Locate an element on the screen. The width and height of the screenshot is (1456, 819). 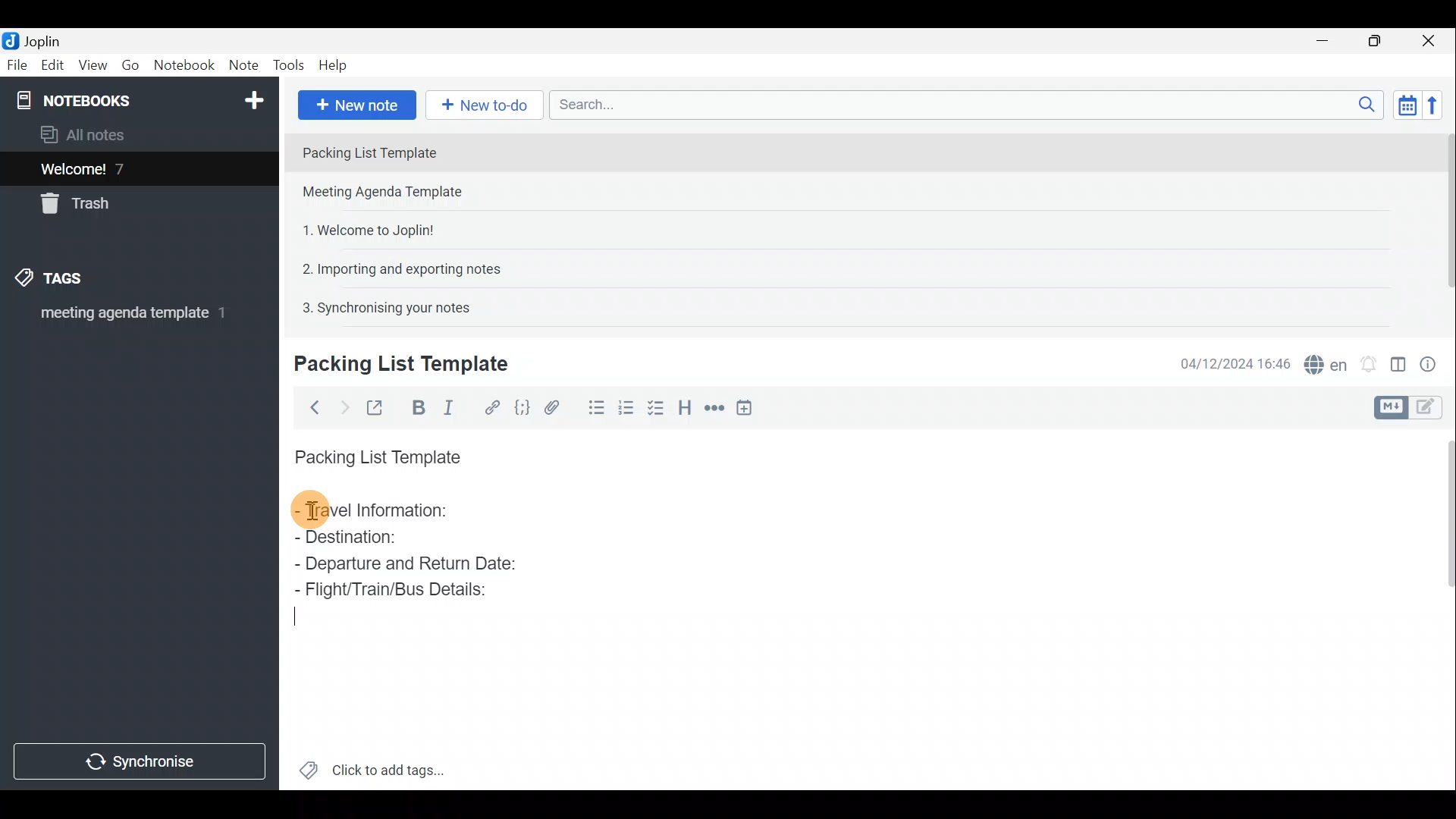
New to-do is located at coordinates (485, 105).